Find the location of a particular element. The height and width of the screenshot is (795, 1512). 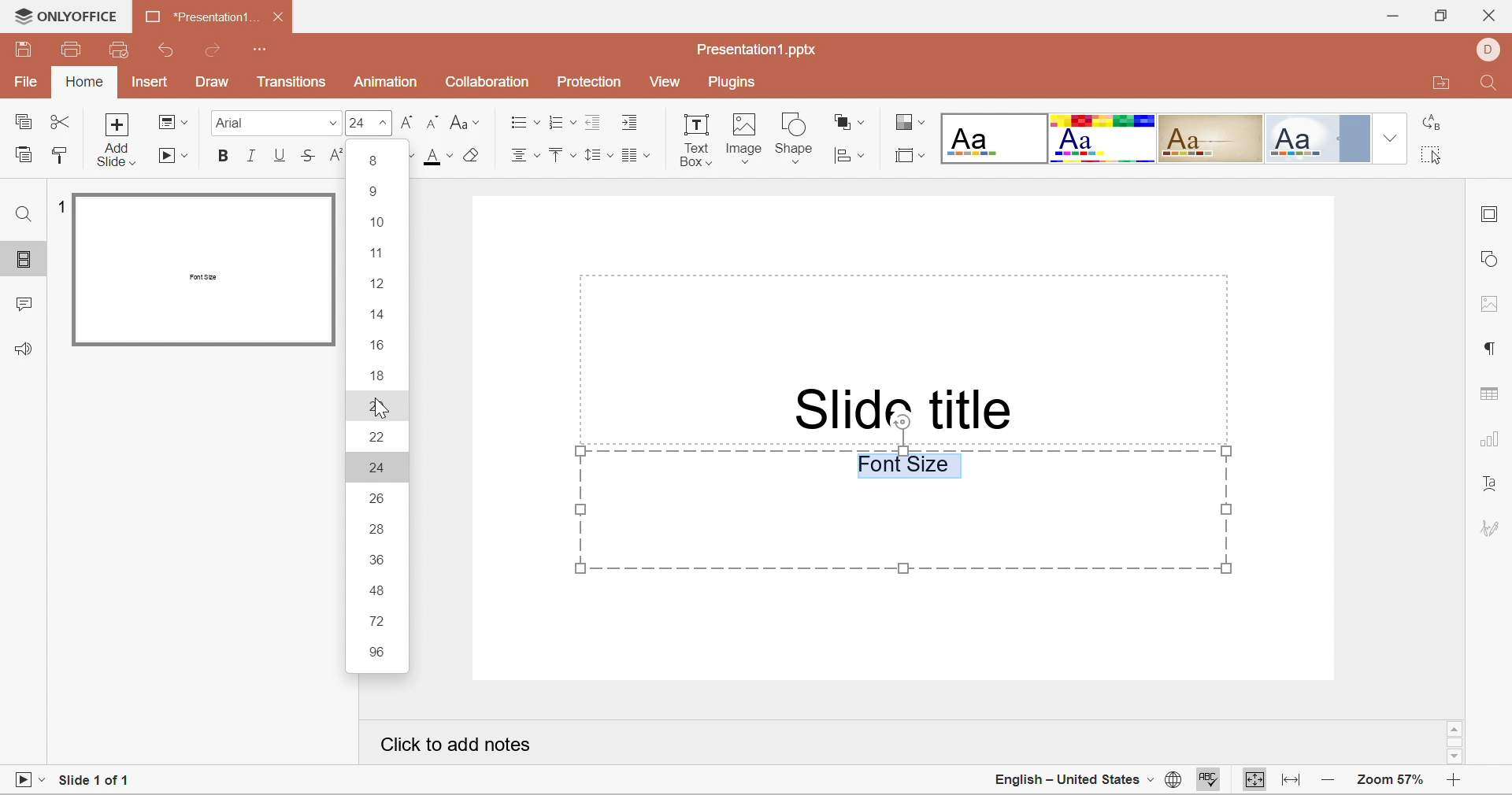

48 is located at coordinates (380, 590).